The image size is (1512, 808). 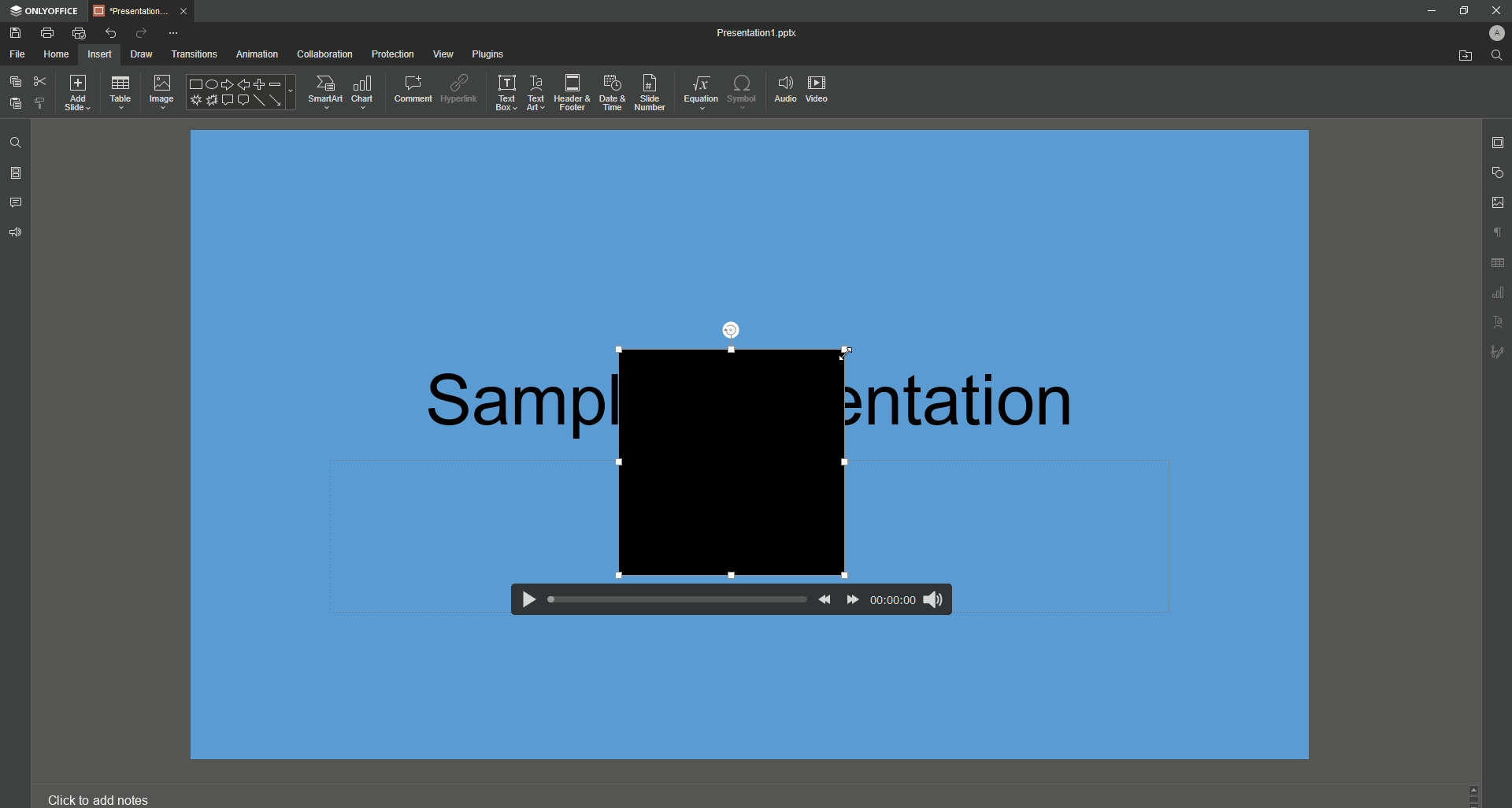 What do you see at coordinates (324, 91) in the screenshot?
I see `SmartArt` at bounding box center [324, 91].